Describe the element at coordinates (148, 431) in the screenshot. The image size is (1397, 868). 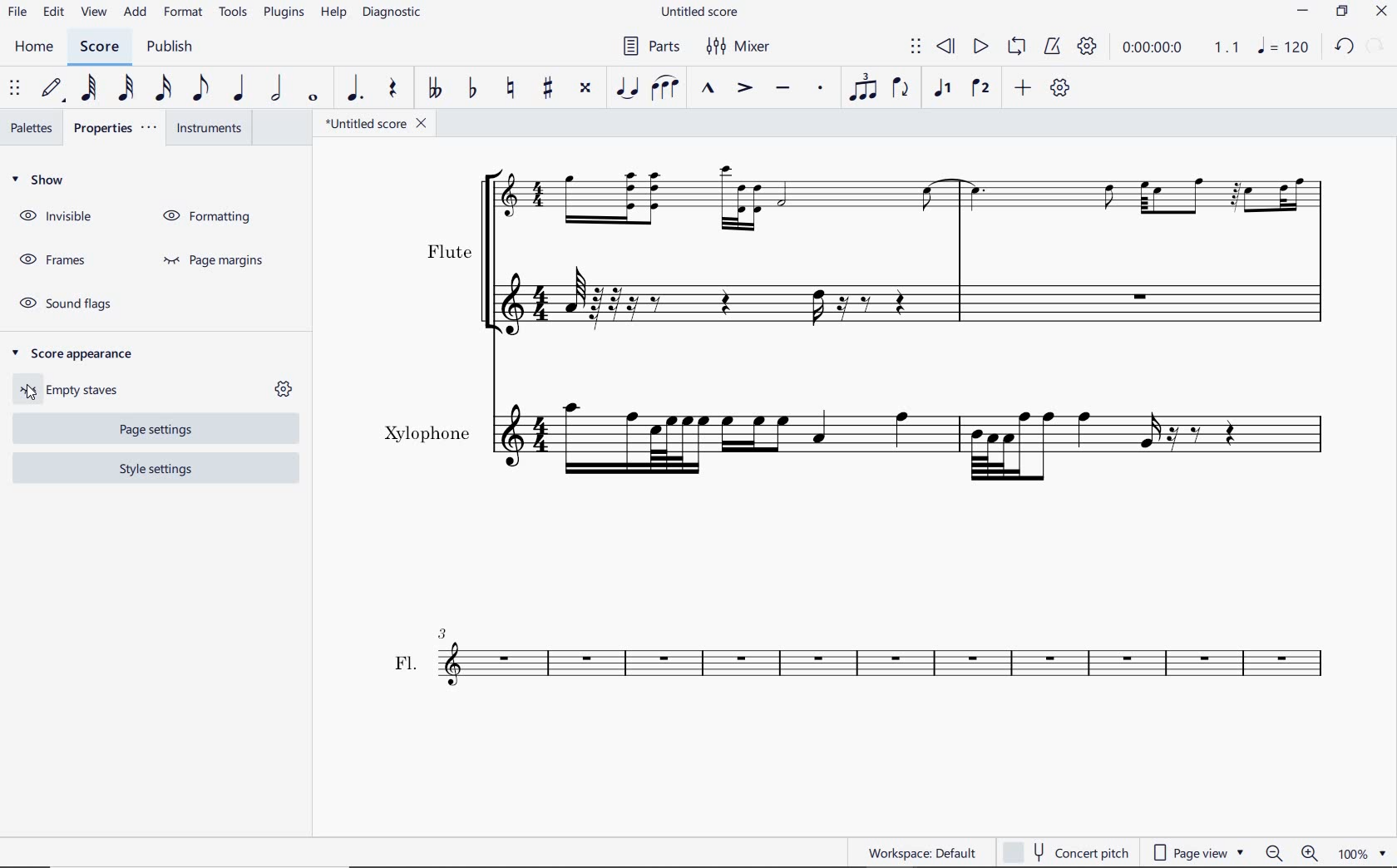
I see `PAGE SETTINGS` at that location.